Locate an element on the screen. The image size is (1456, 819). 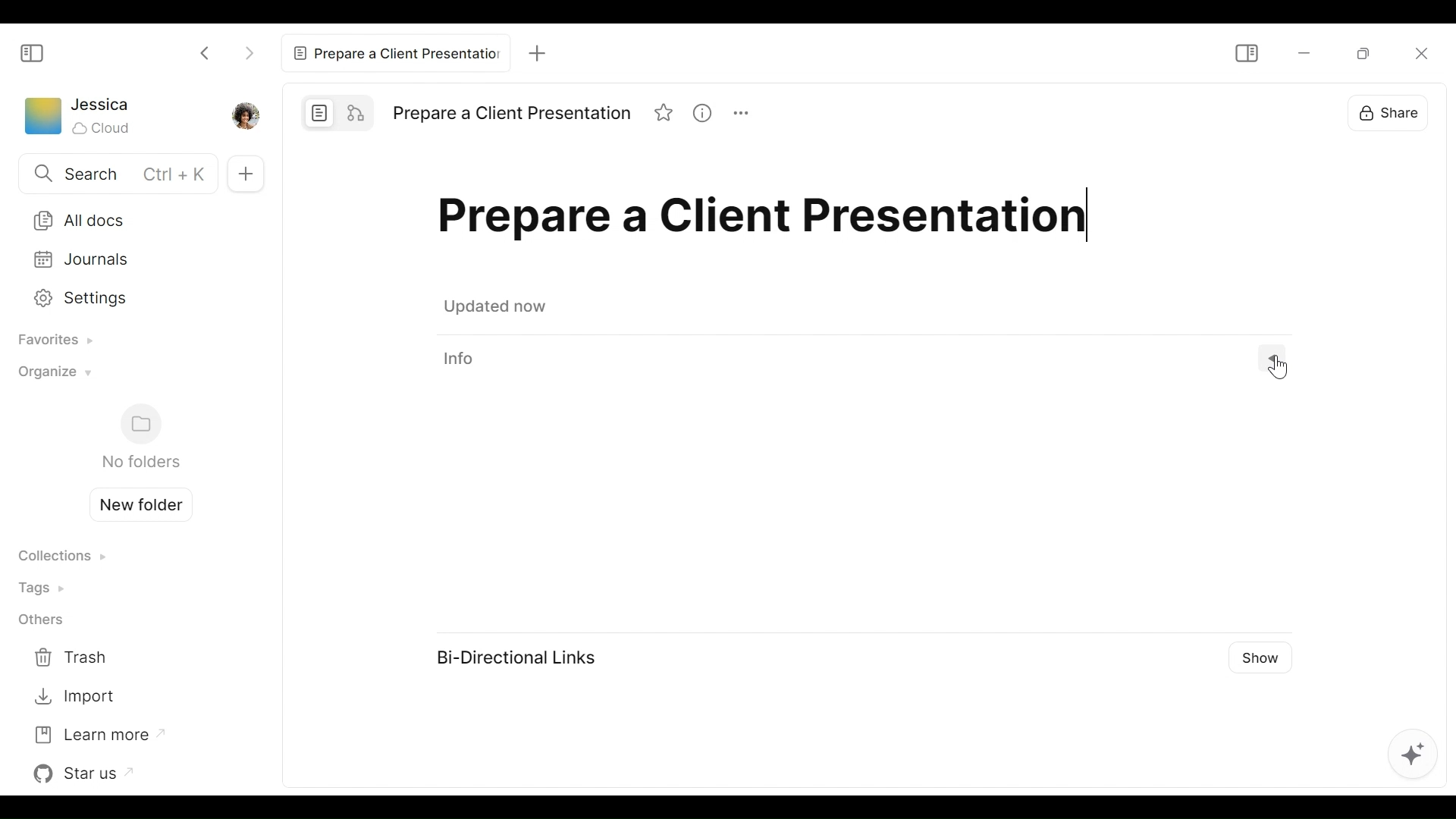
Current tab is located at coordinates (392, 52).